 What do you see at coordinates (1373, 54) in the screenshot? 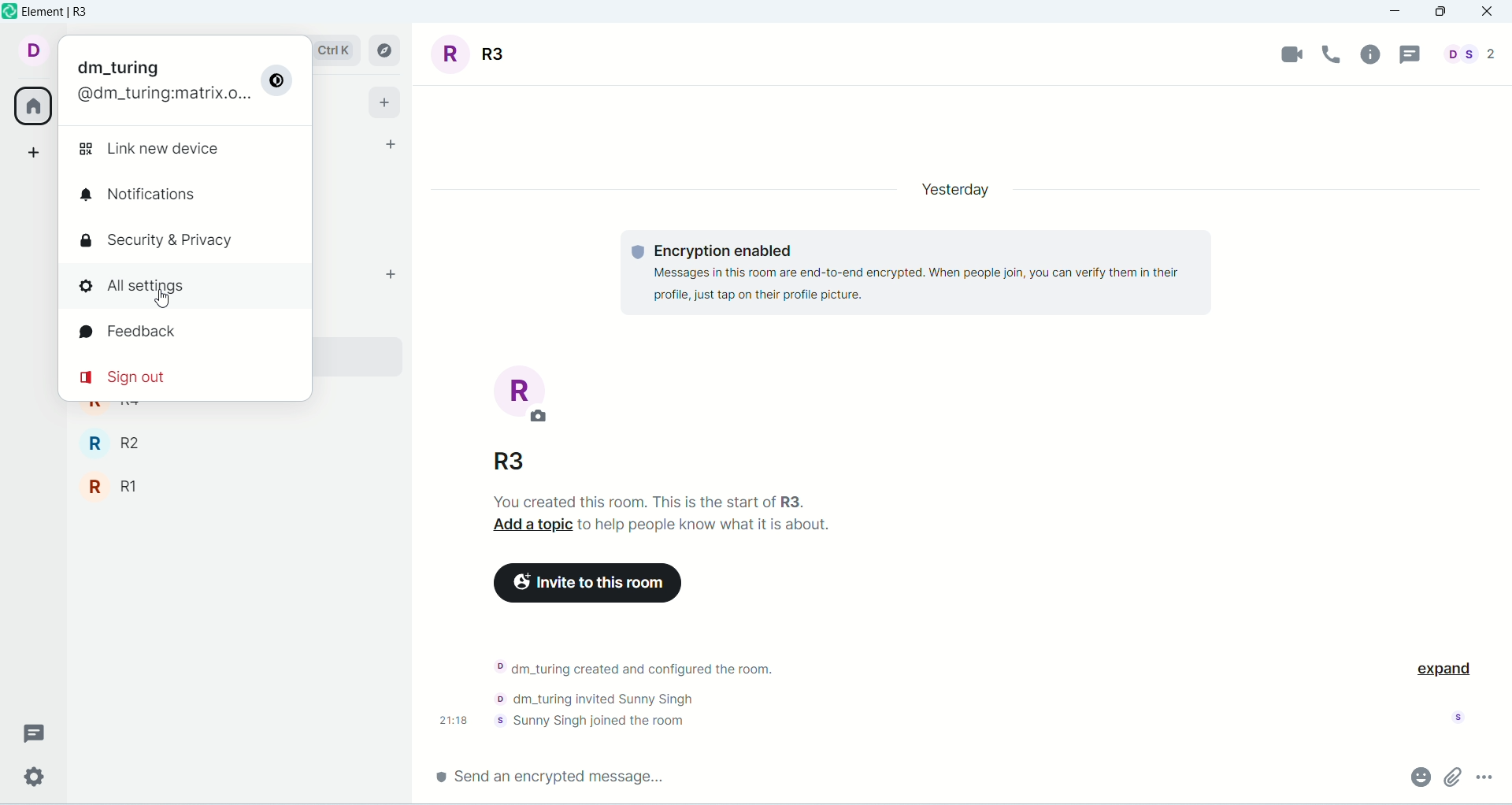
I see `room info` at bounding box center [1373, 54].